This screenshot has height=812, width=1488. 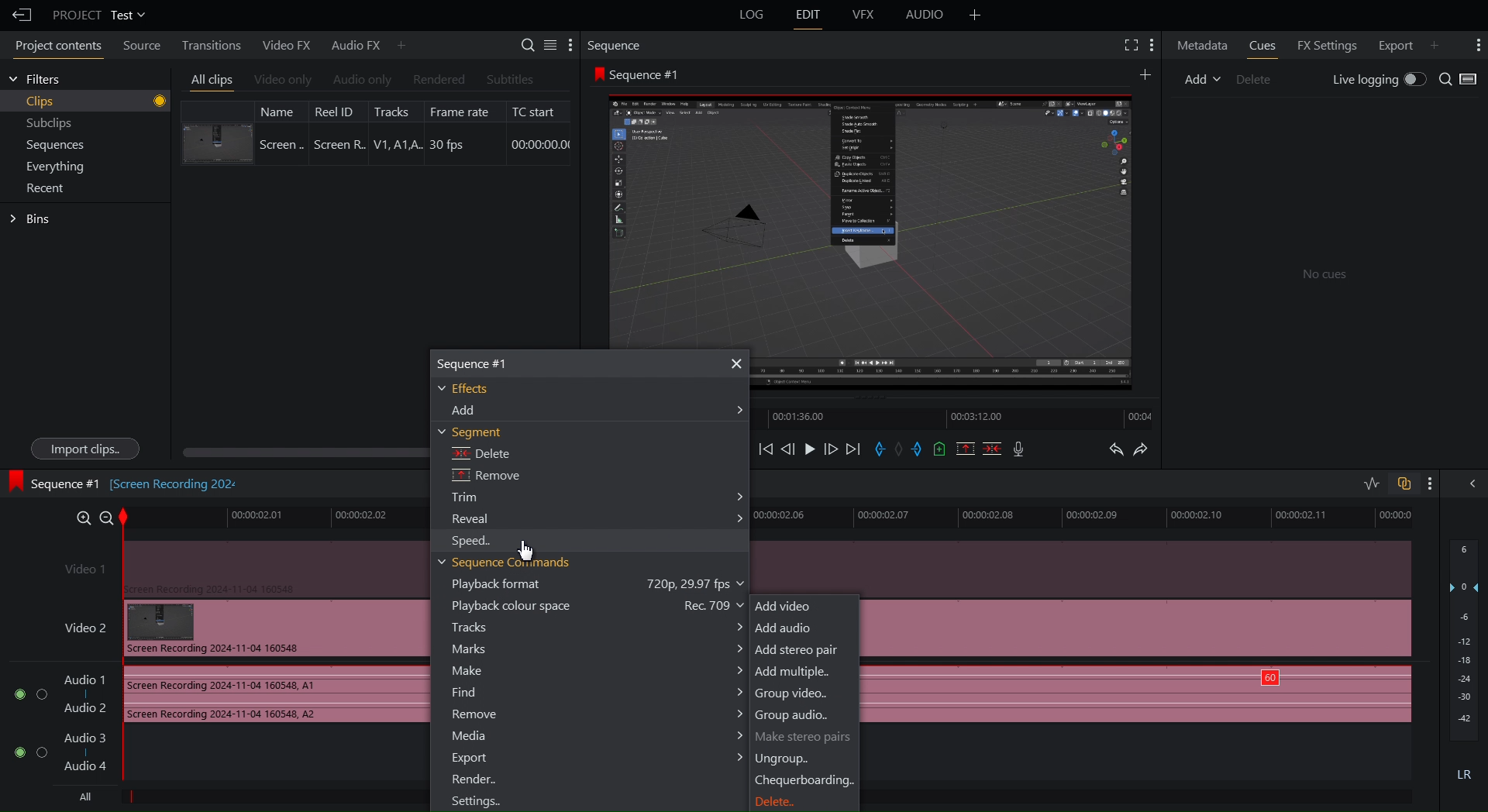 What do you see at coordinates (35, 79) in the screenshot?
I see `Filters` at bounding box center [35, 79].